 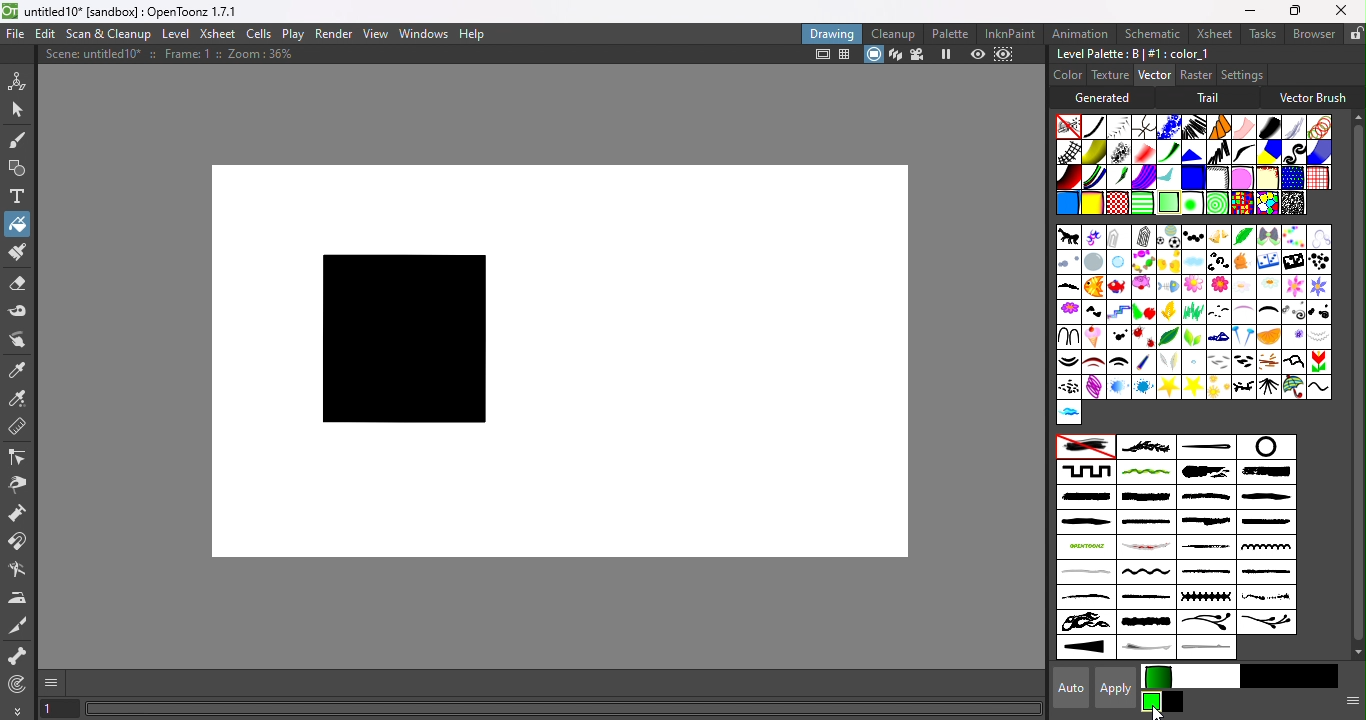 What do you see at coordinates (820, 55) in the screenshot?
I see `Safe area` at bounding box center [820, 55].